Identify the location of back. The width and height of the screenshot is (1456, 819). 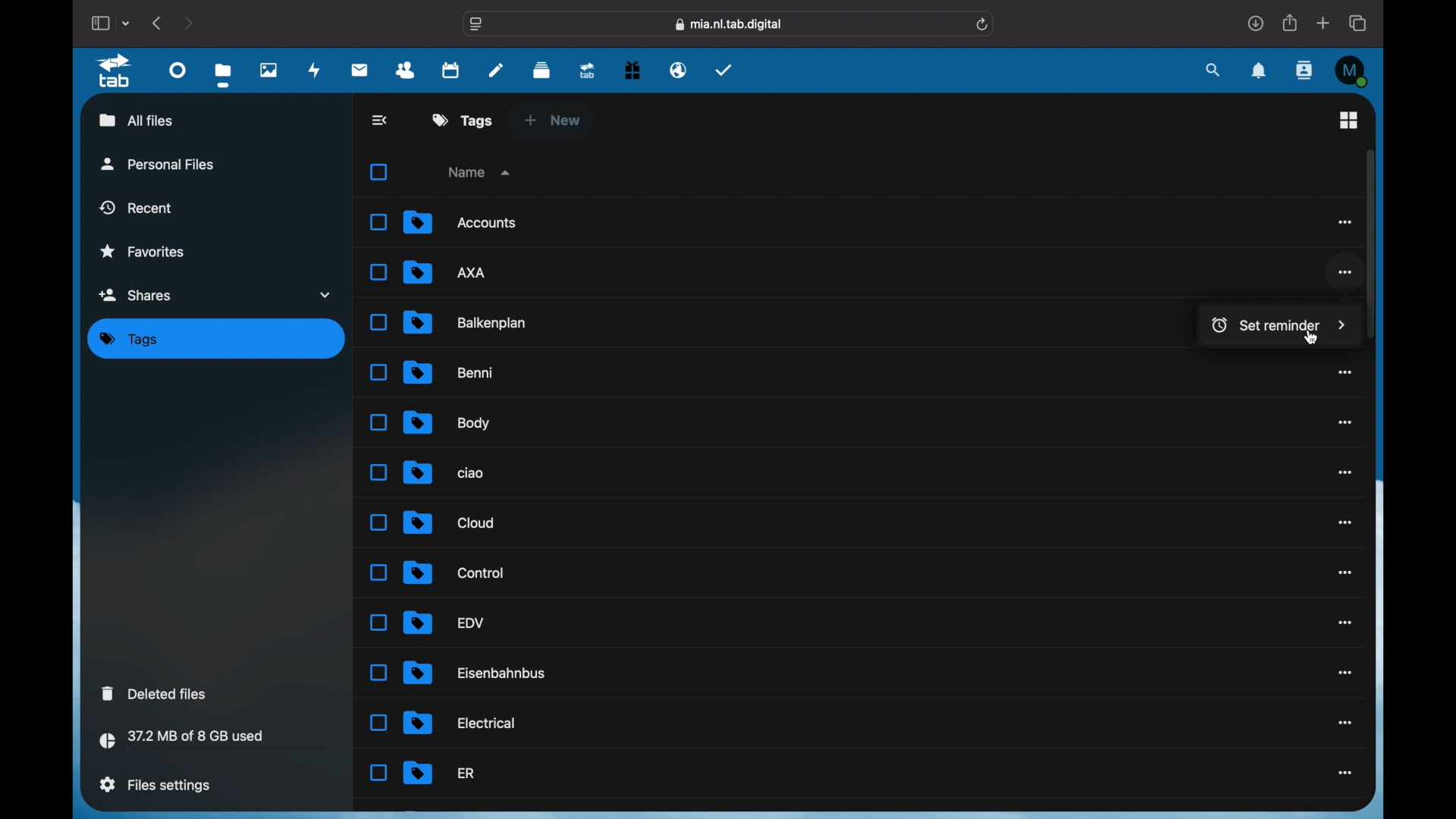
(381, 120).